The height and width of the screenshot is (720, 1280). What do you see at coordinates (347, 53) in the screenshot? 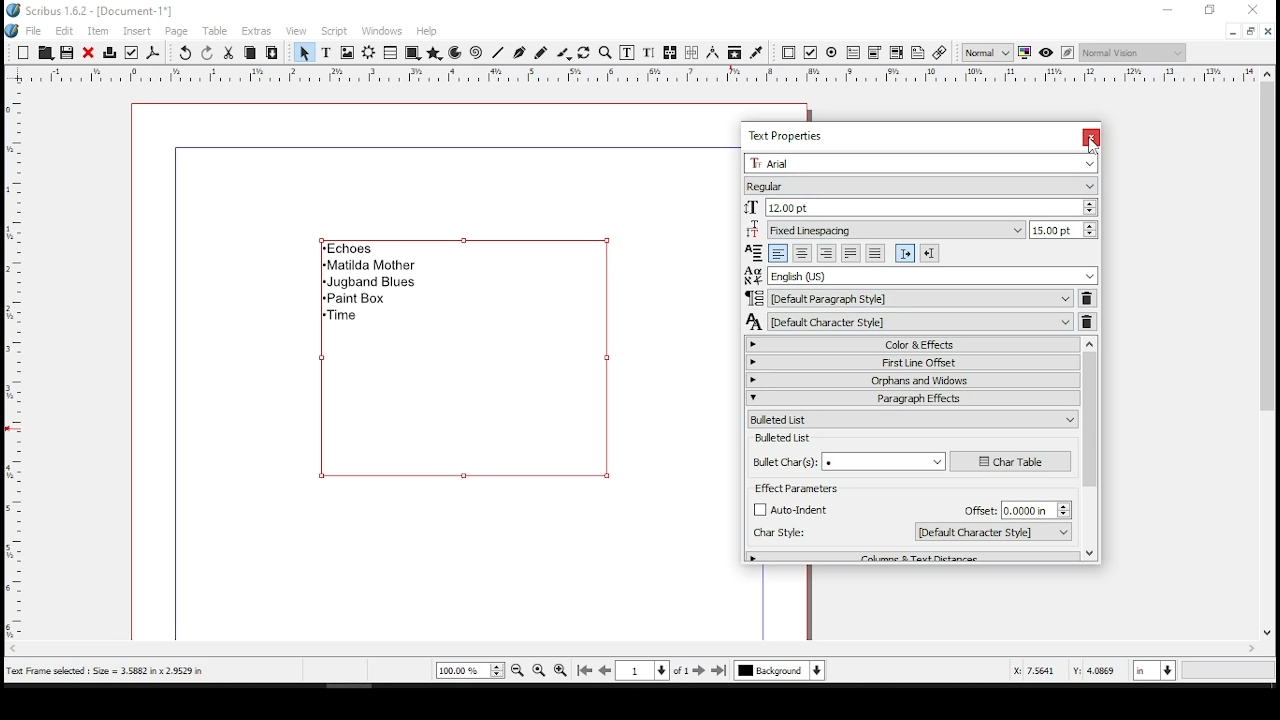
I see `image frame` at bounding box center [347, 53].